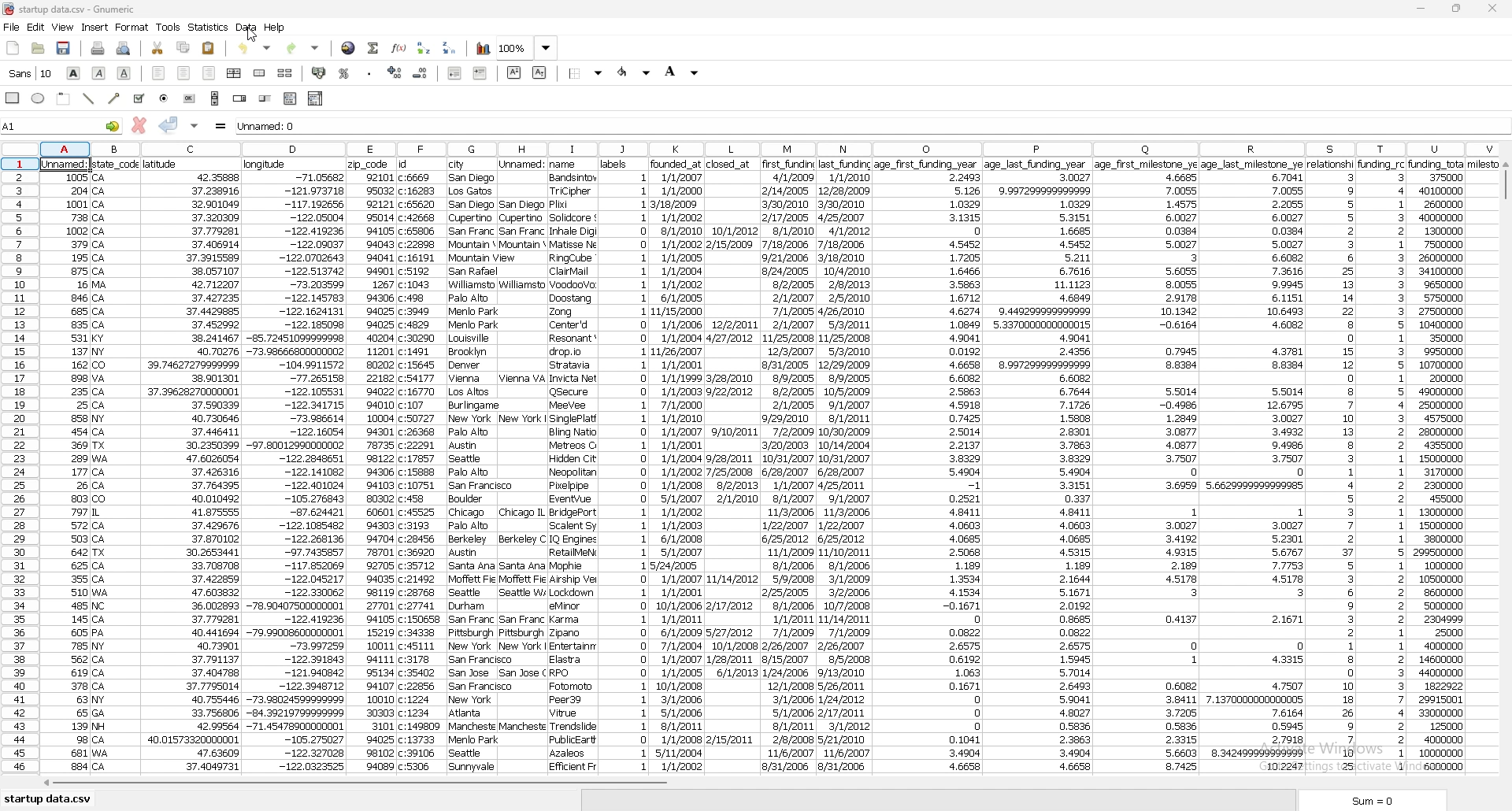 Image resolution: width=1512 pixels, height=811 pixels. Describe the element at coordinates (318, 72) in the screenshot. I see `accounting` at that location.